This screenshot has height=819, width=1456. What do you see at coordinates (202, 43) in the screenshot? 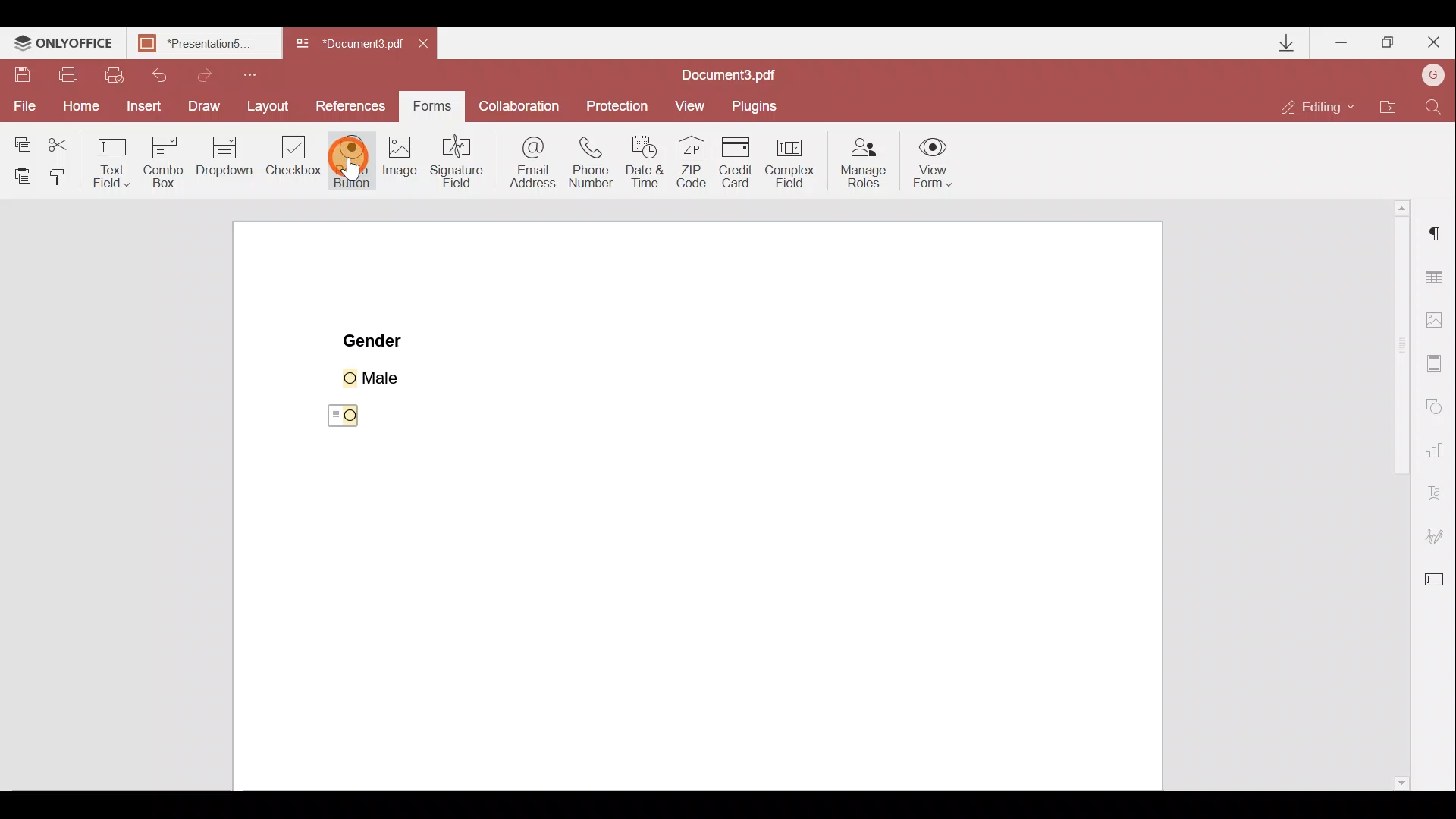
I see `Document name` at bounding box center [202, 43].